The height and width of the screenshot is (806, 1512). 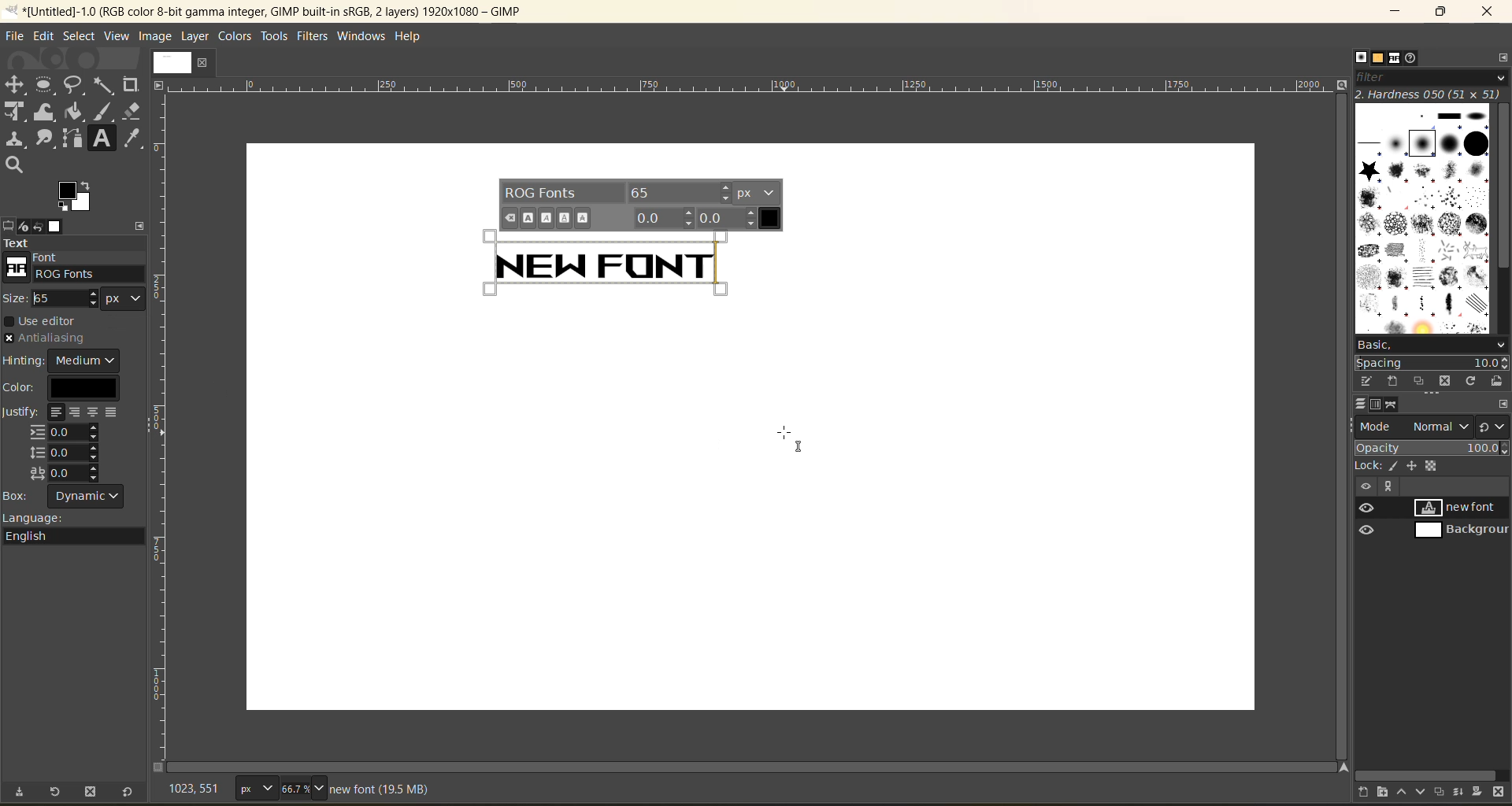 What do you see at coordinates (1502, 188) in the screenshot?
I see `vertical scroll bar` at bounding box center [1502, 188].